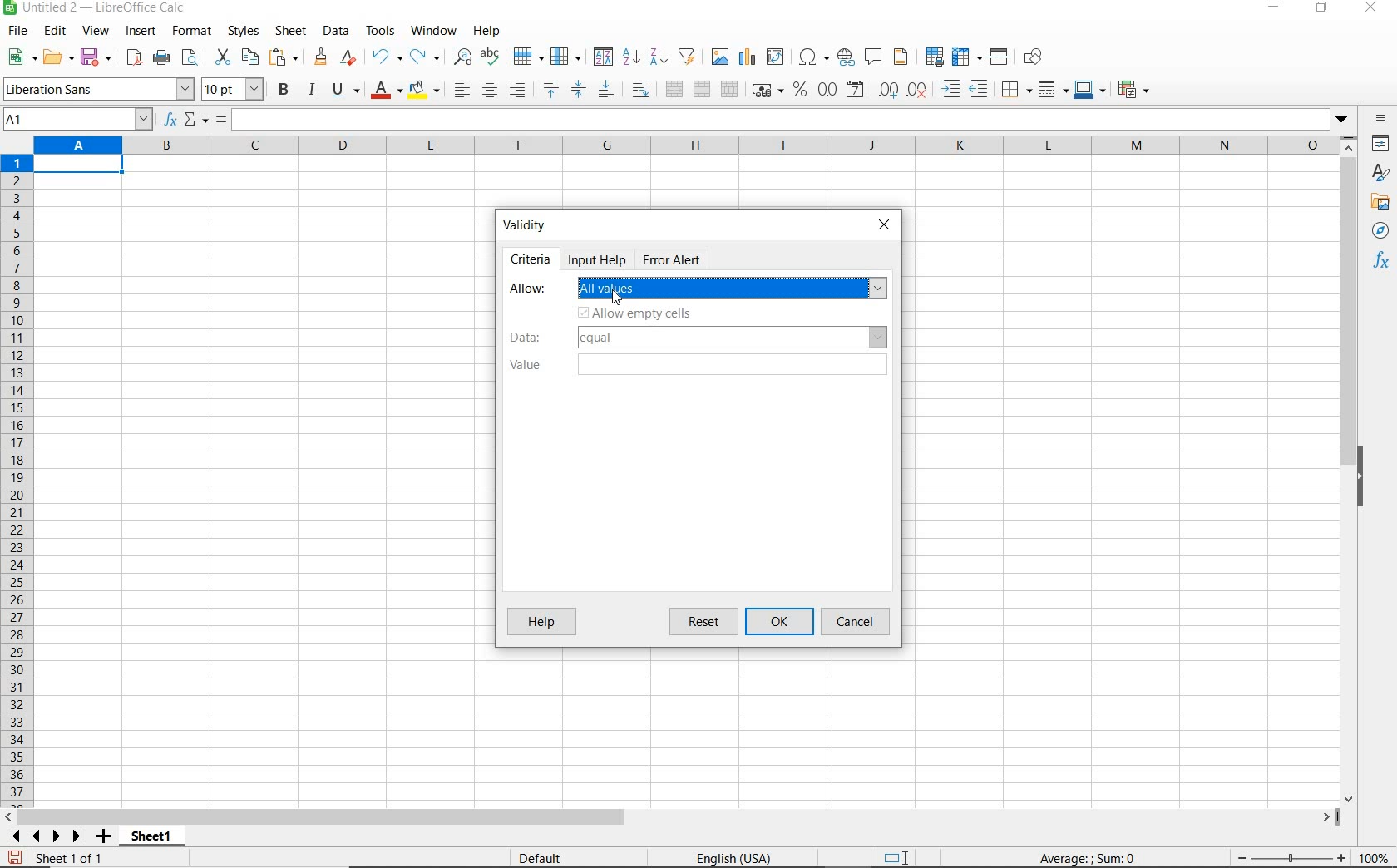  What do you see at coordinates (57, 57) in the screenshot?
I see `open` at bounding box center [57, 57].